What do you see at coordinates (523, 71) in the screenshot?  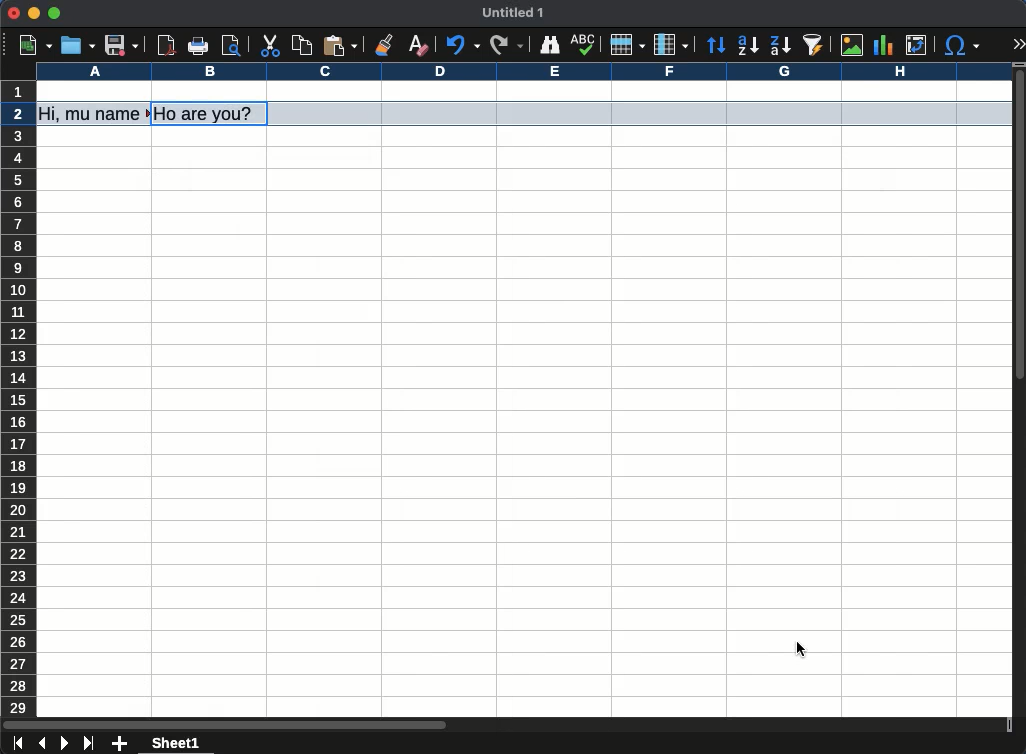 I see `column` at bounding box center [523, 71].